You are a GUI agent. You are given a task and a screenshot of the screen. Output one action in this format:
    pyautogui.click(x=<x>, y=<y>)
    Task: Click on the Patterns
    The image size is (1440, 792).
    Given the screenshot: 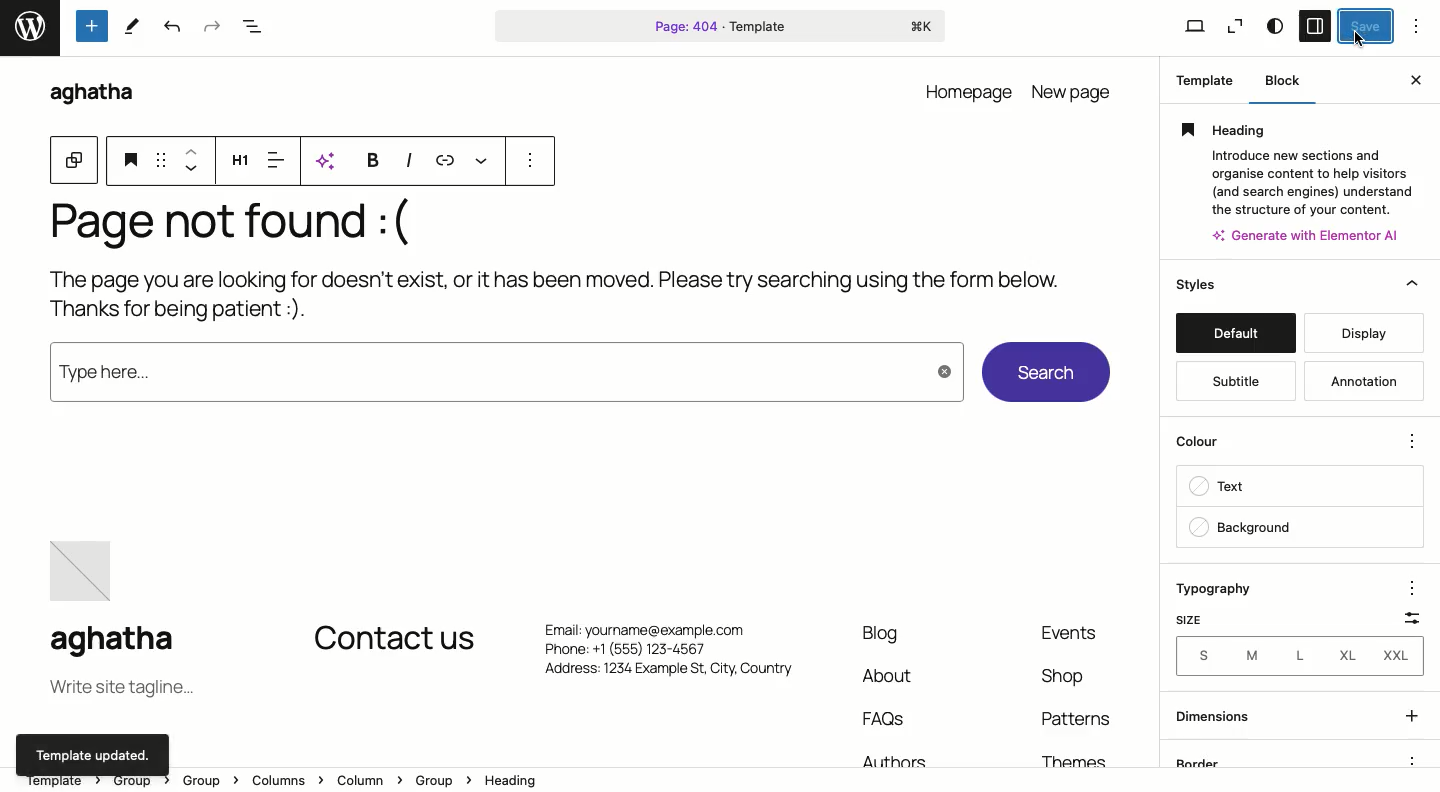 What is the action you would take?
    pyautogui.click(x=1081, y=725)
    